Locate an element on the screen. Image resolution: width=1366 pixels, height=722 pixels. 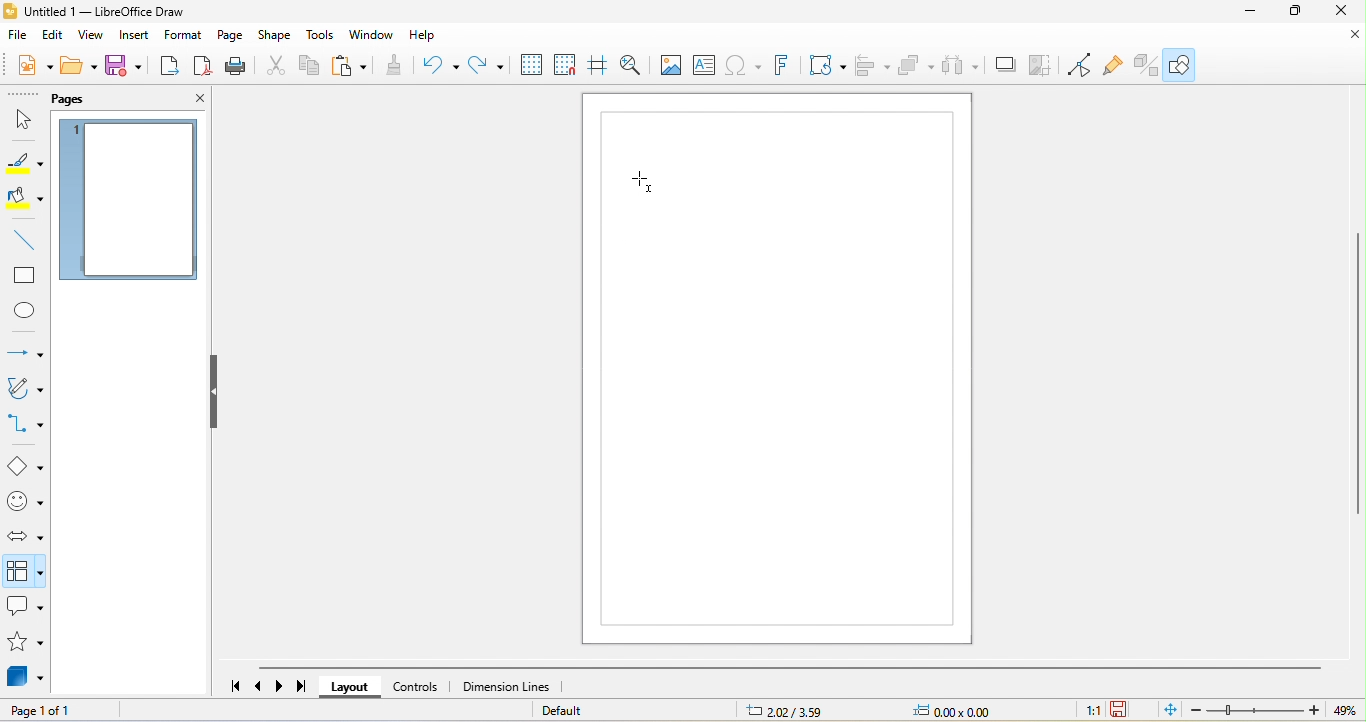
controls is located at coordinates (416, 686).